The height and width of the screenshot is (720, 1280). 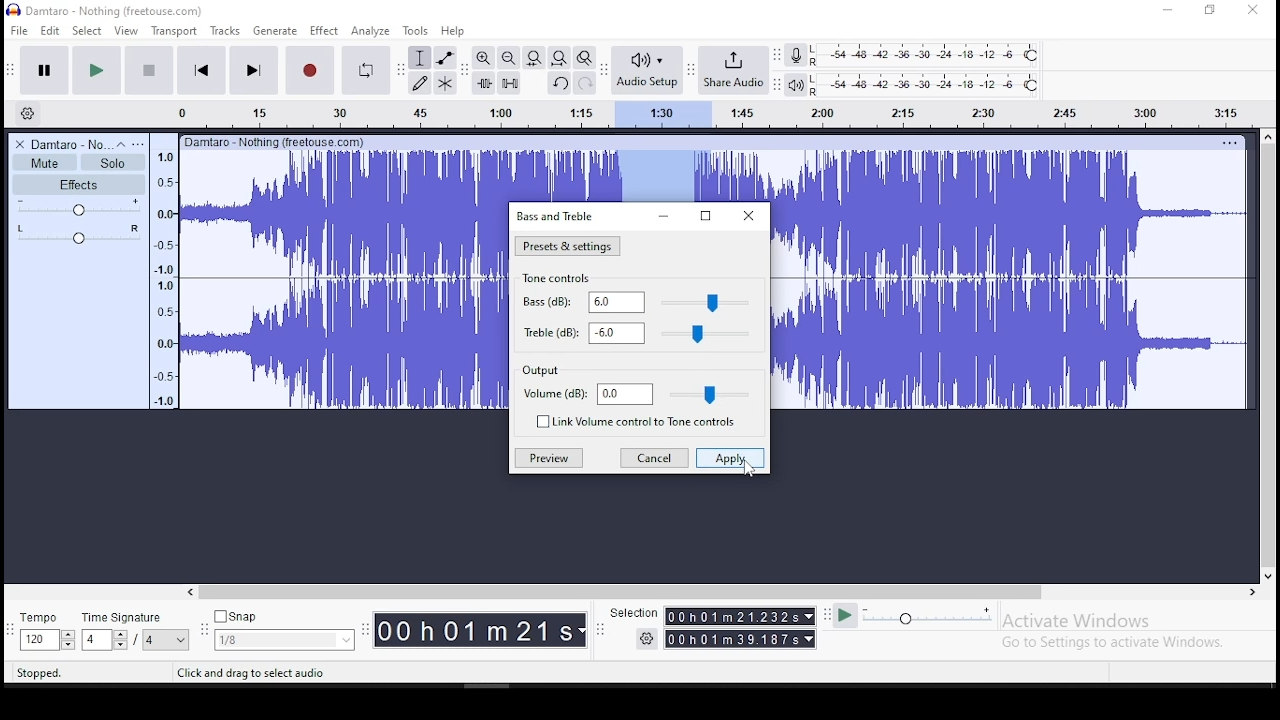 I want to click on redo, so click(x=585, y=82).